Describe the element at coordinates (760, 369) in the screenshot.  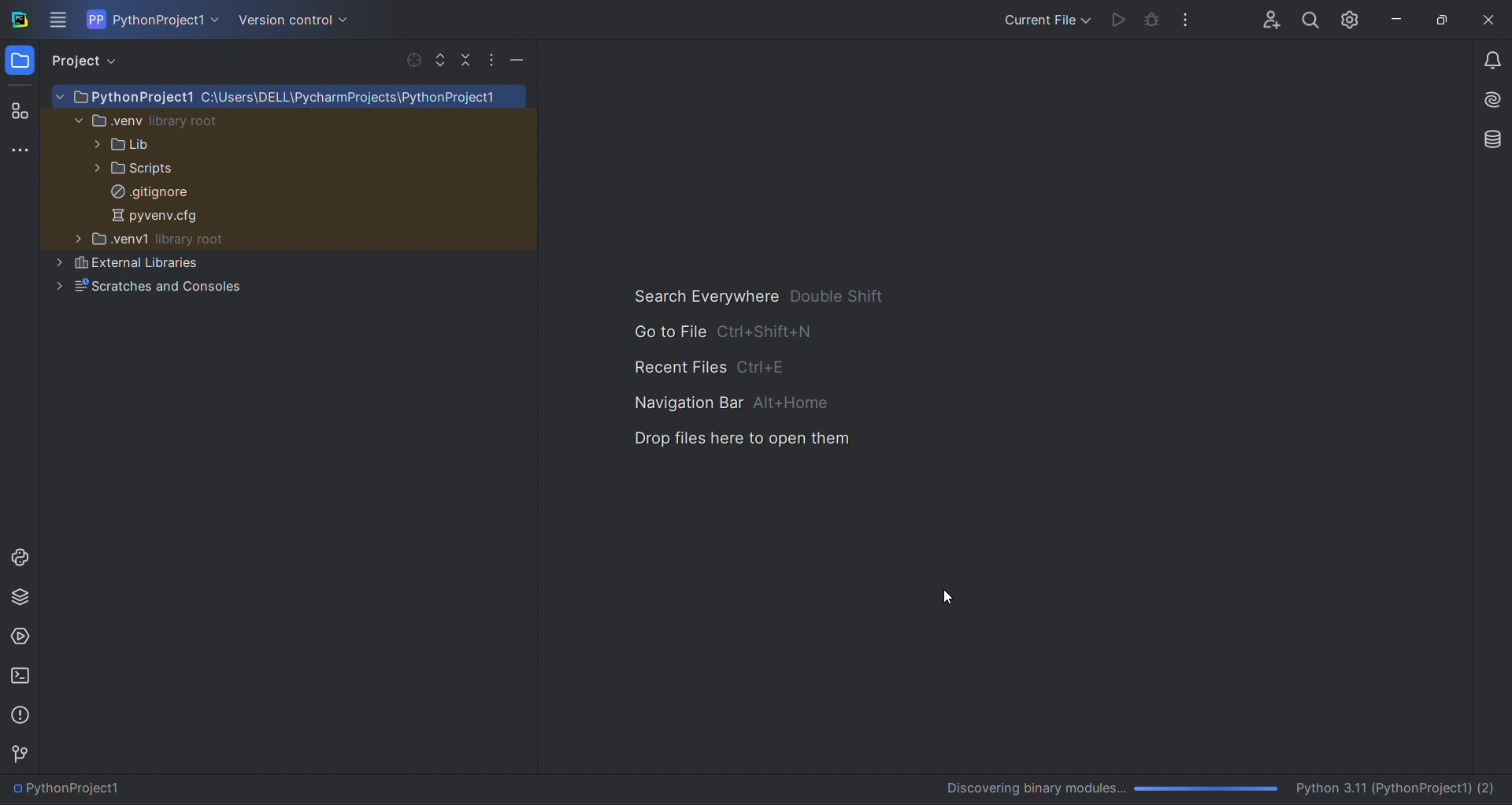
I see `hotkey options` at that location.